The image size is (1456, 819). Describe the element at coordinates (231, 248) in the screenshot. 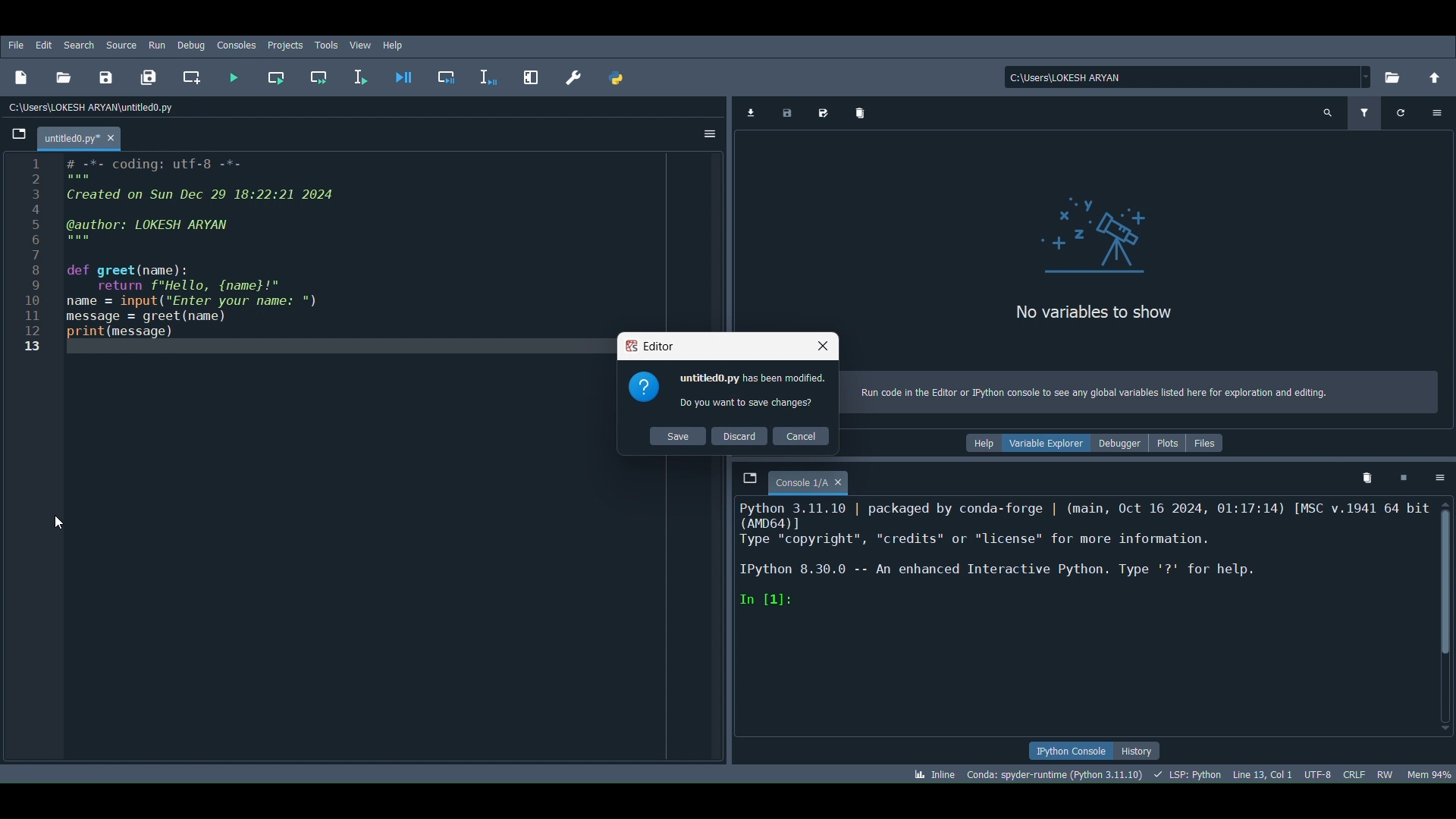

I see `# -*- coding: utf-8 -*-
Created on Sun Dec 29 18:22:21 2024
dauthor: LOKESH ARYAN
def greet(name):
return "Hello, {name}!"
ame = input (“Enter your name: ")
nessage = greet (name)
srint (message)` at that location.